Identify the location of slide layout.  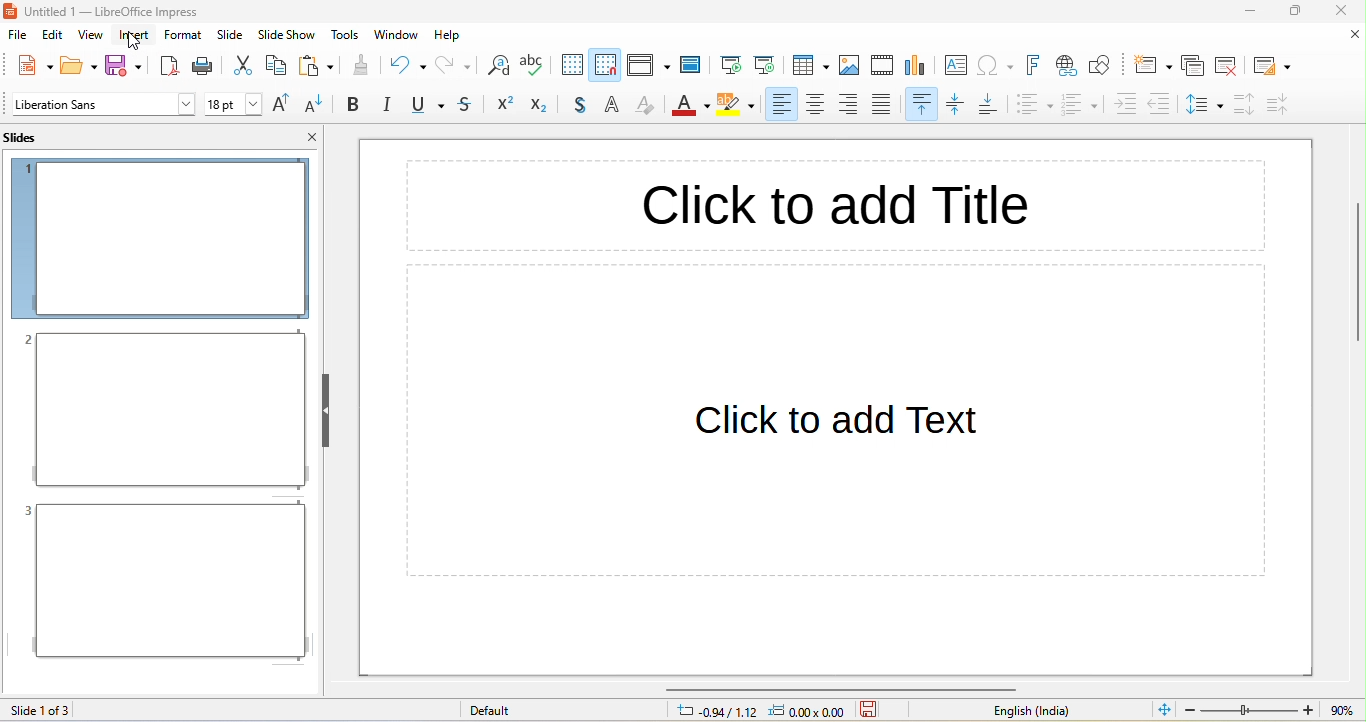
(1273, 64).